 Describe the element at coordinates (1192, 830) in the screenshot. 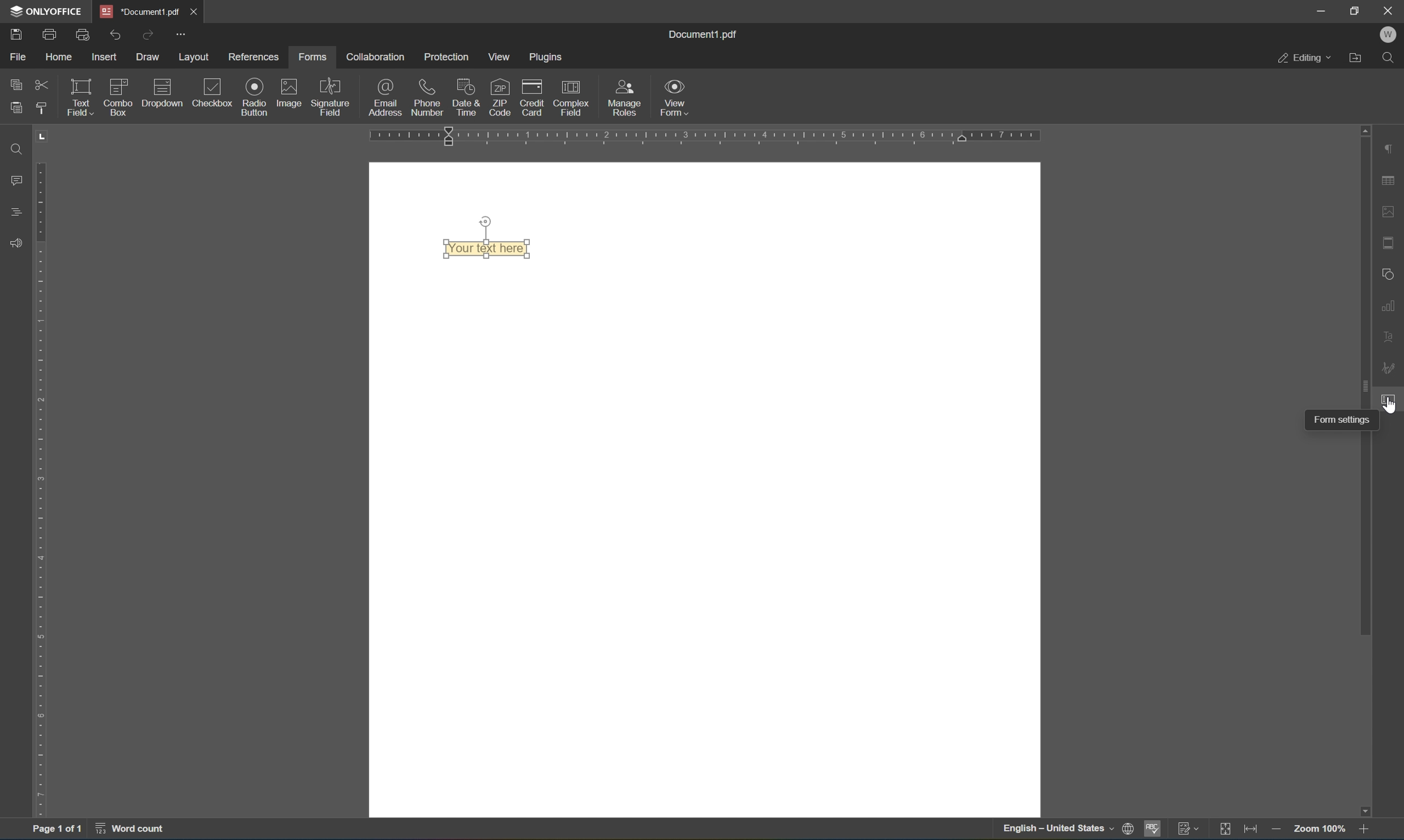

I see `track changes` at that location.